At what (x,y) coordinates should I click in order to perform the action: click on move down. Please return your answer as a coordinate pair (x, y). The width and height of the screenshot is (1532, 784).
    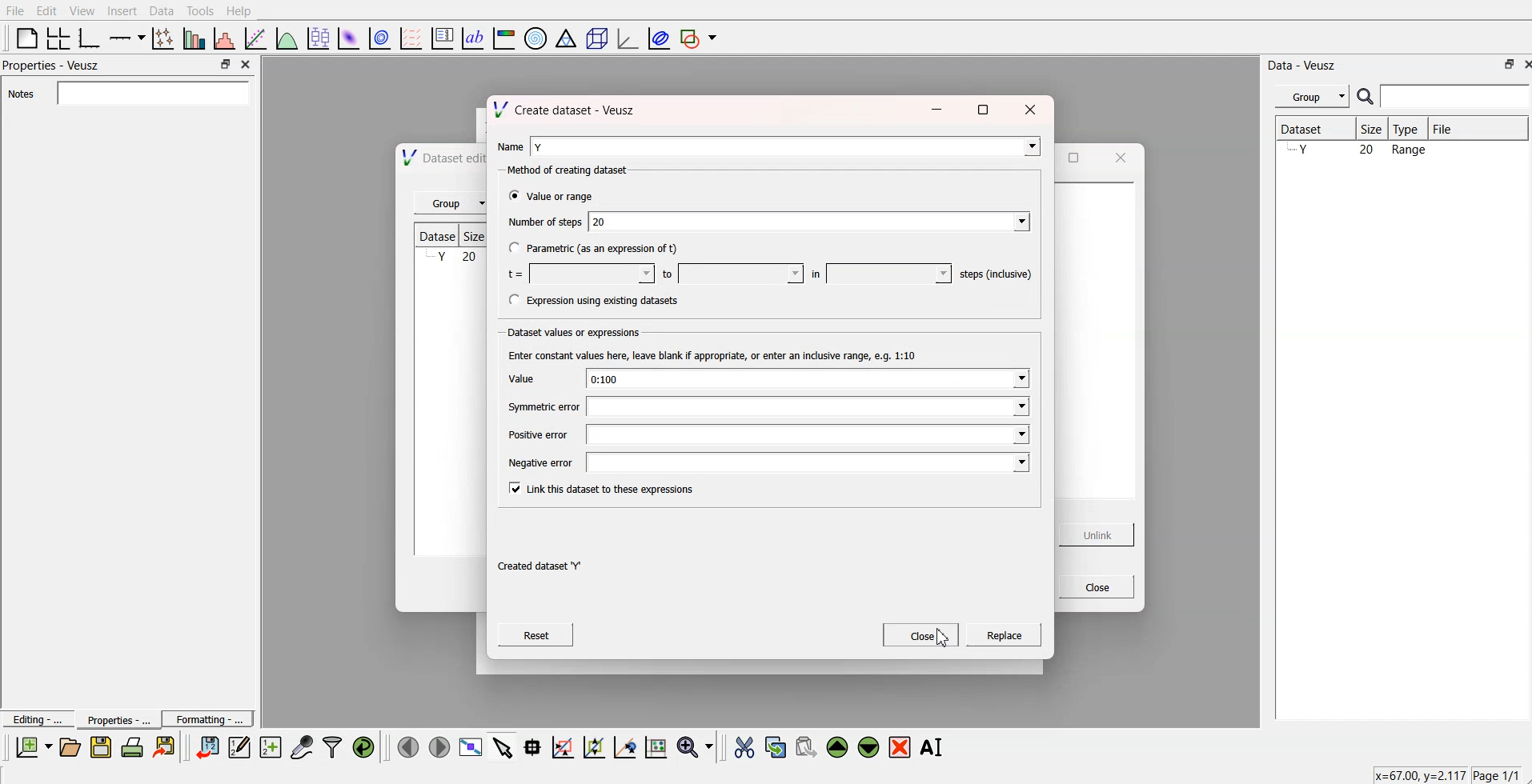
    Looking at the image, I should click on (869, 746).